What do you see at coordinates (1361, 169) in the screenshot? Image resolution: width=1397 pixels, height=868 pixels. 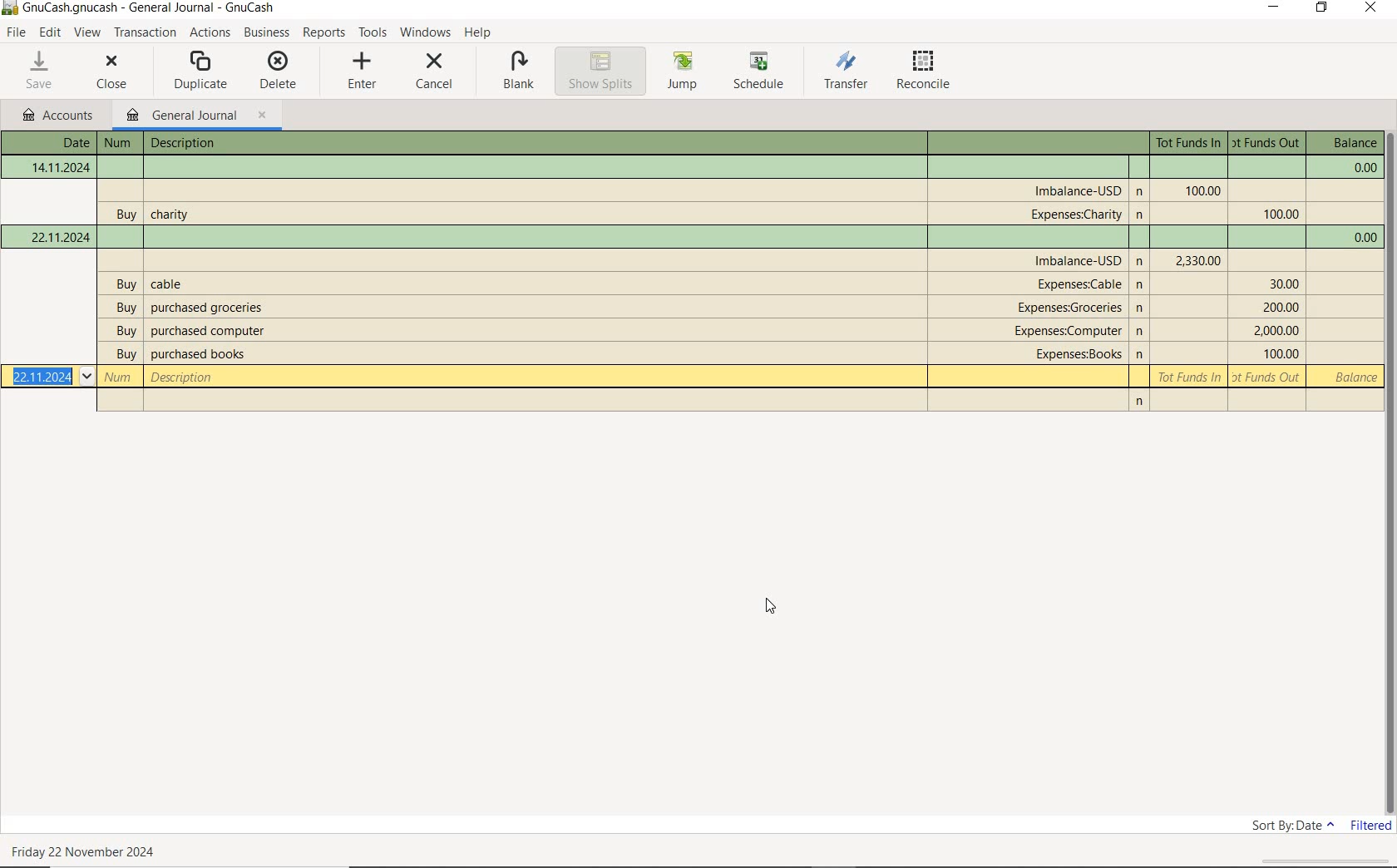 I see `balance` at bounding box center [1361, 169].